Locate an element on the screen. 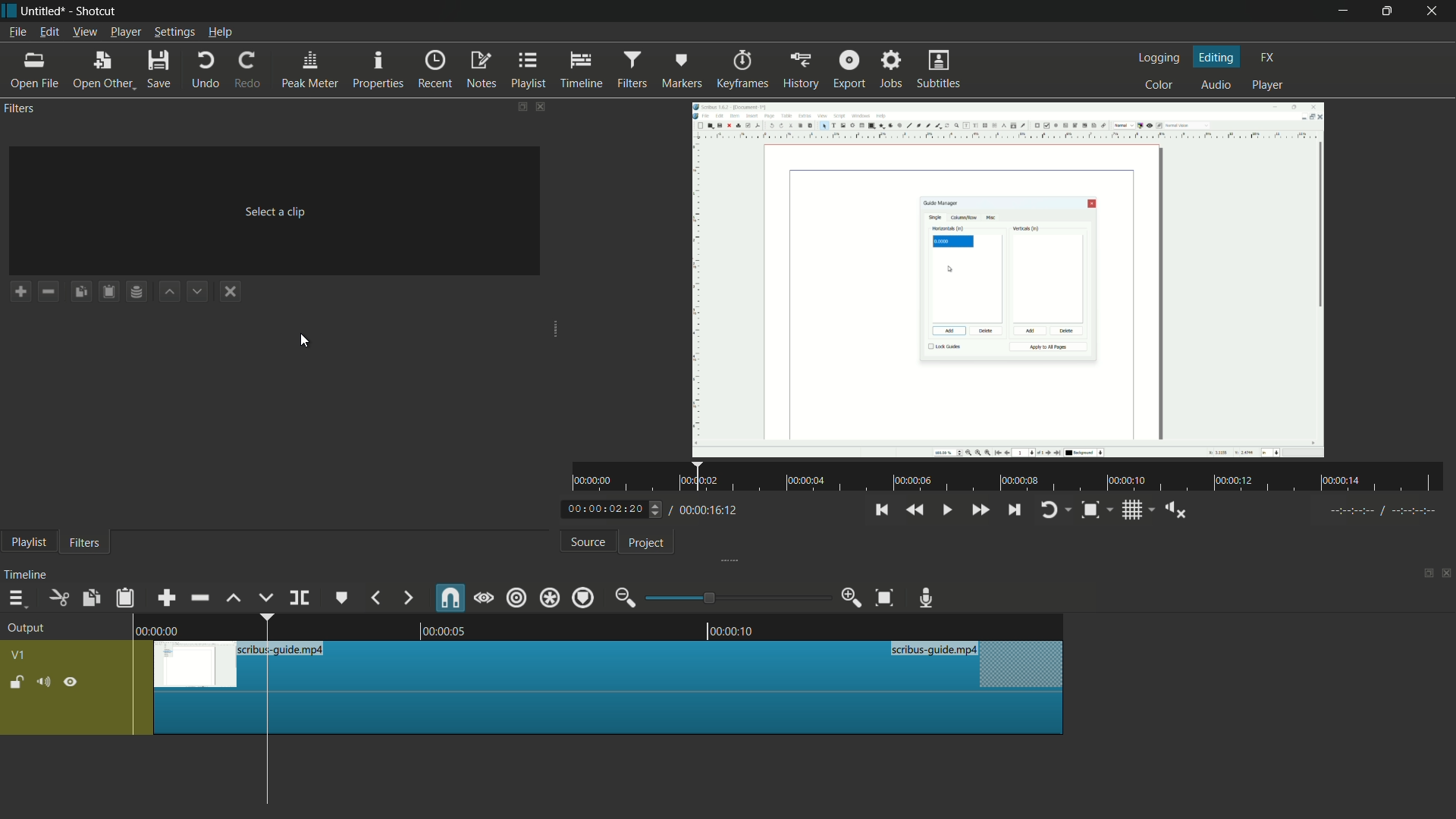 The image size is (1456, 819). ripple markers is located at coordinates (584, 597).